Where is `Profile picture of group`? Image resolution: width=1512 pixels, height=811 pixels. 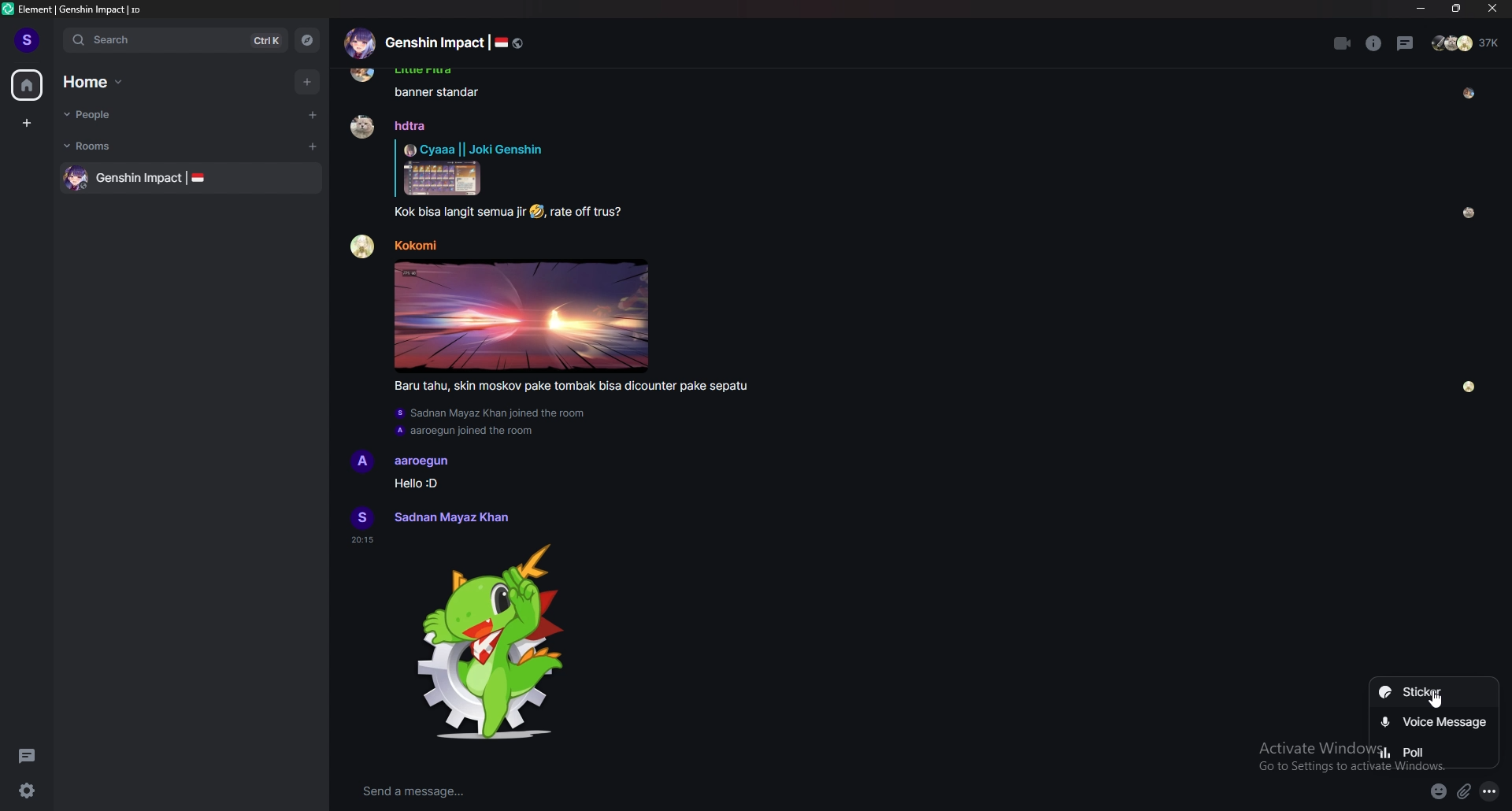
Profile picture of group is located at coordinates (359, 43).